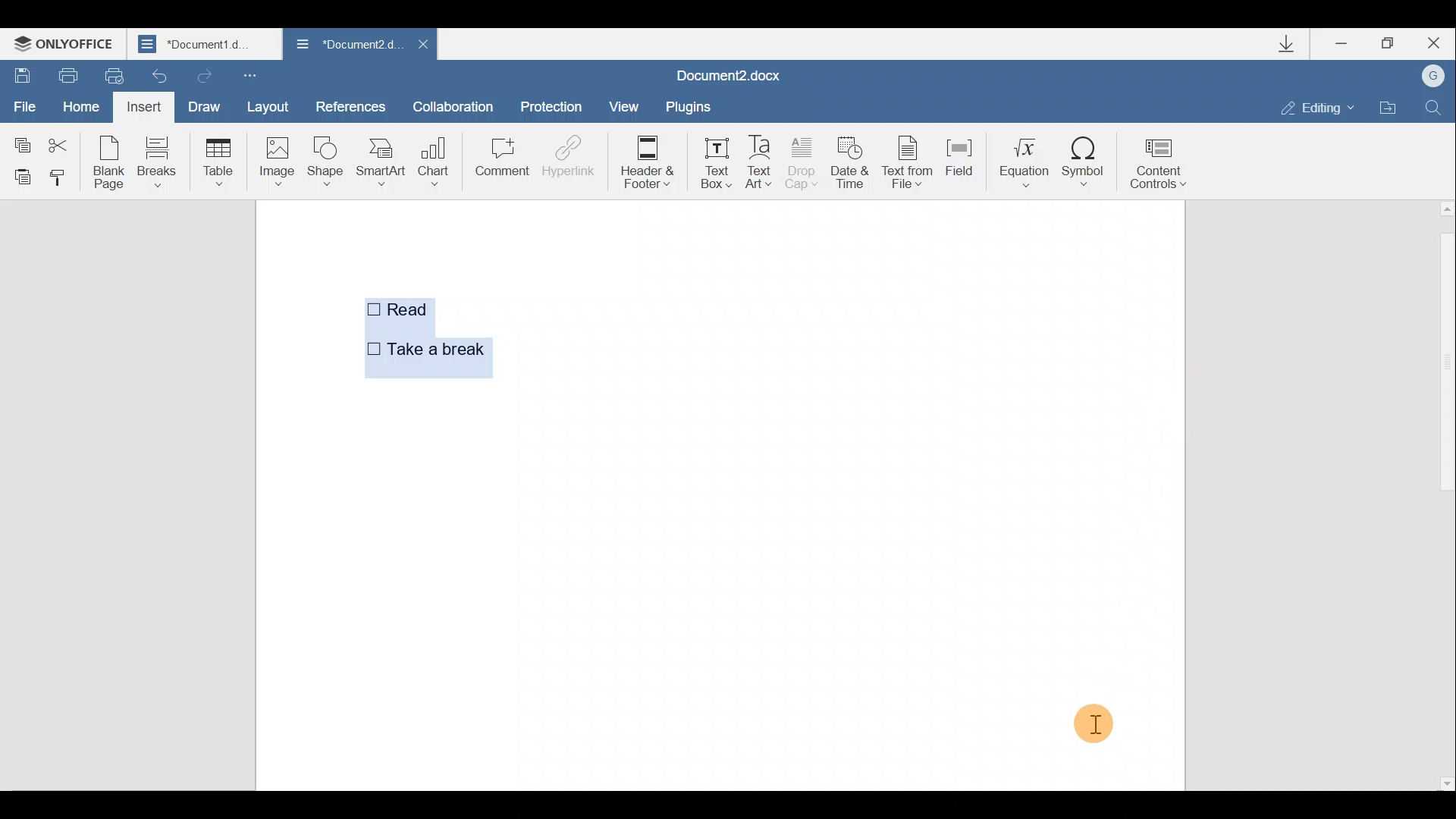 Image resolution: width=1456 pixels, height=819 pixels. I want to click on Text from file, so click(909, 165).